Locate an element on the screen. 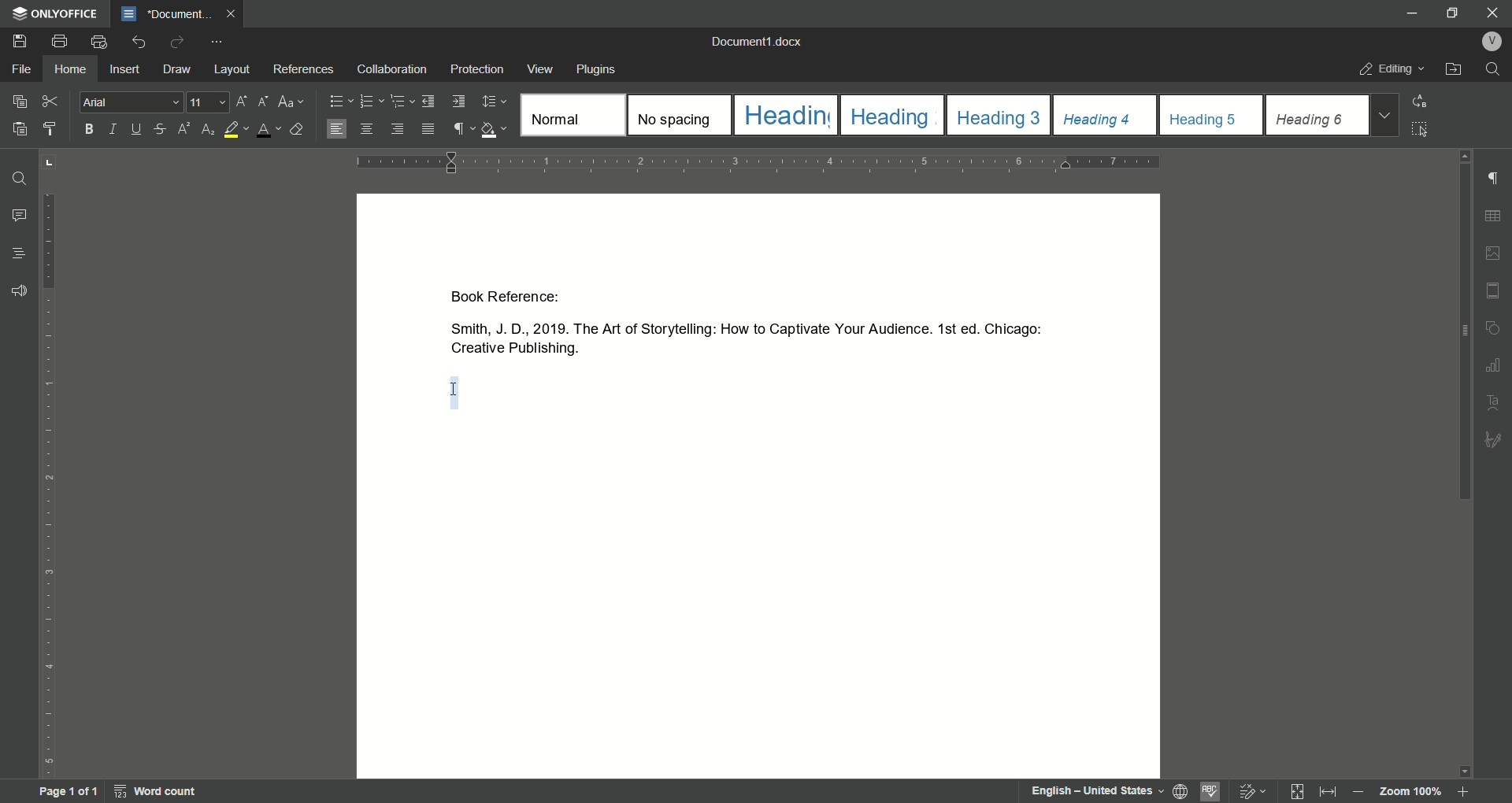 The width and height of the screenshot is (1512, 803). headings is located at coordinates (1106, 114).